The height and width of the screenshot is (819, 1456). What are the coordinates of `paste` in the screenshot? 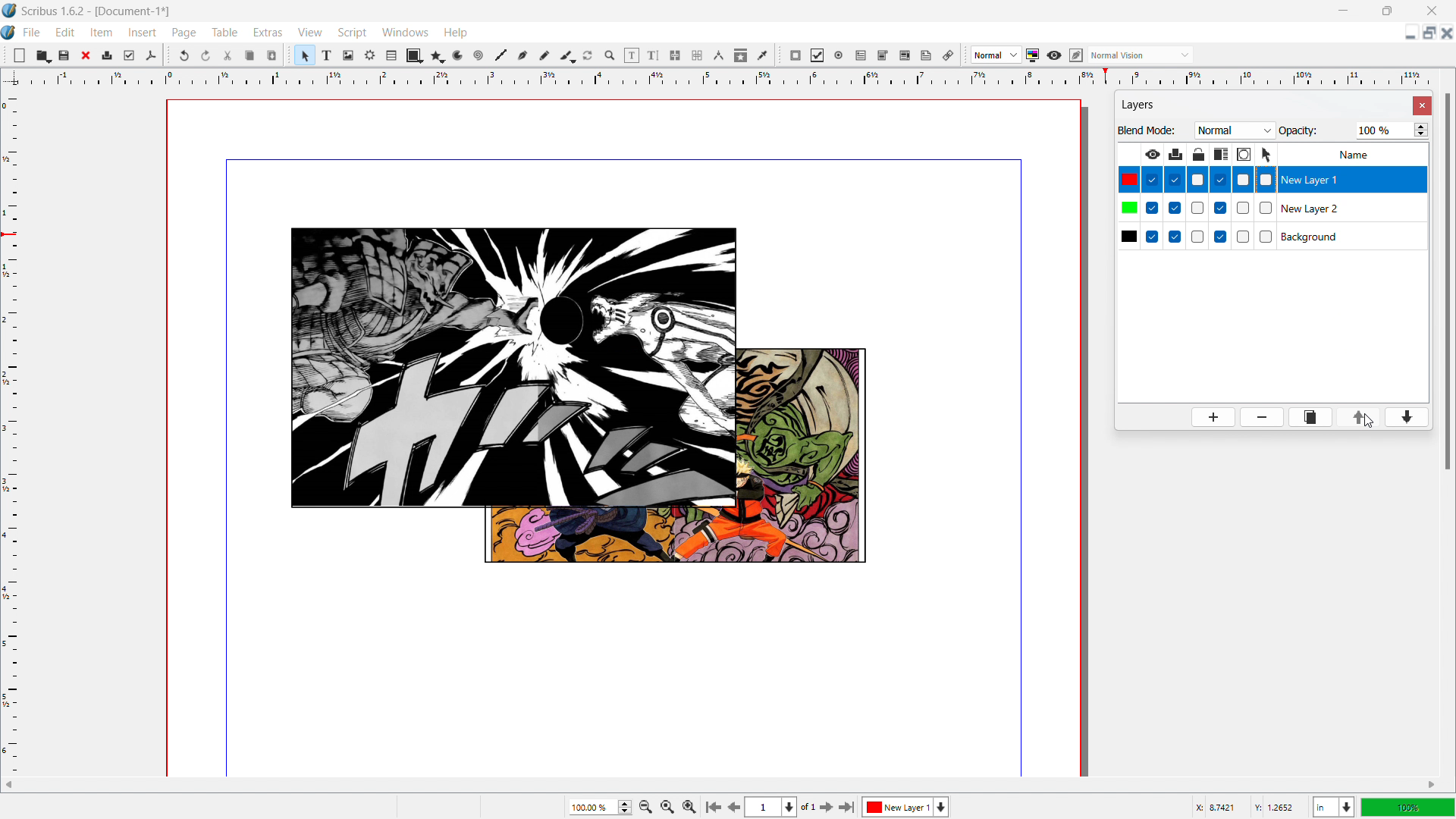 It's located at (272, 55).